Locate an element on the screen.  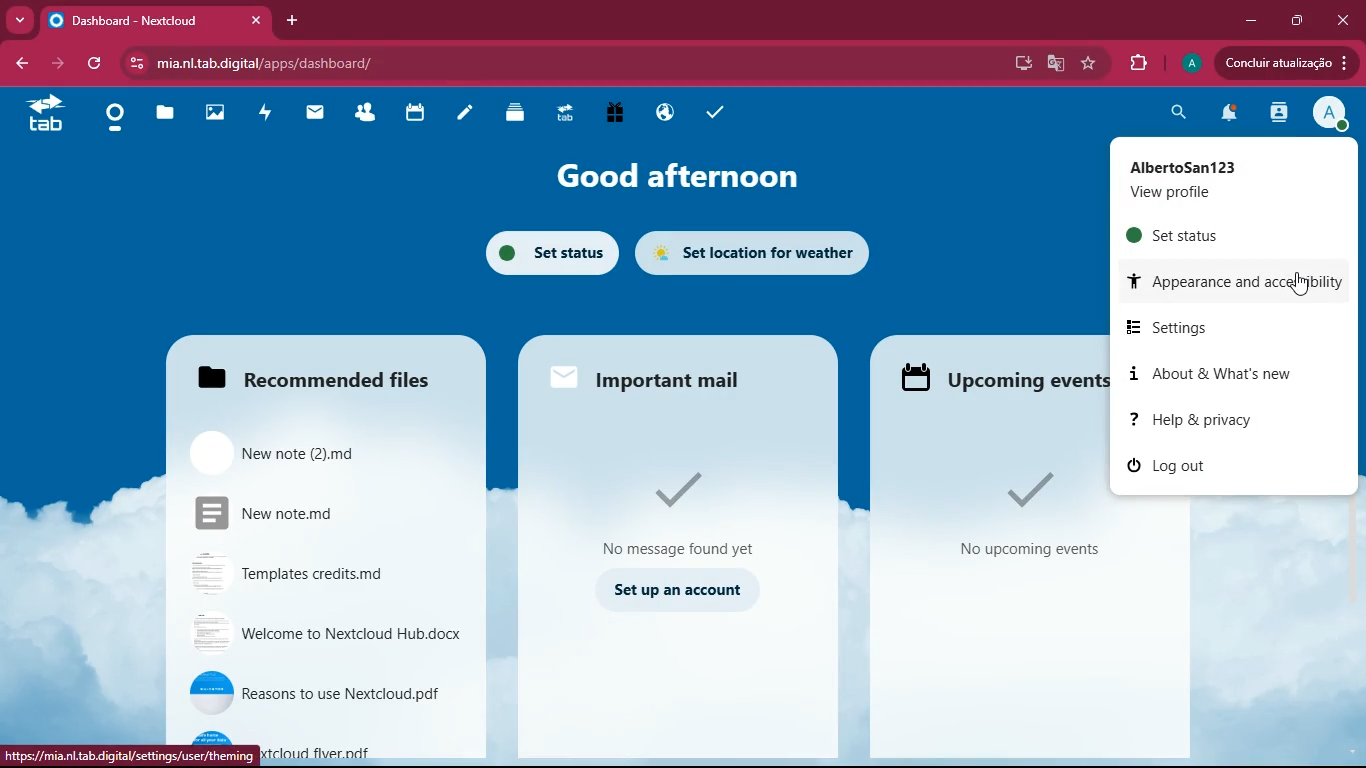
refresh is located at coordinates (98, 64).